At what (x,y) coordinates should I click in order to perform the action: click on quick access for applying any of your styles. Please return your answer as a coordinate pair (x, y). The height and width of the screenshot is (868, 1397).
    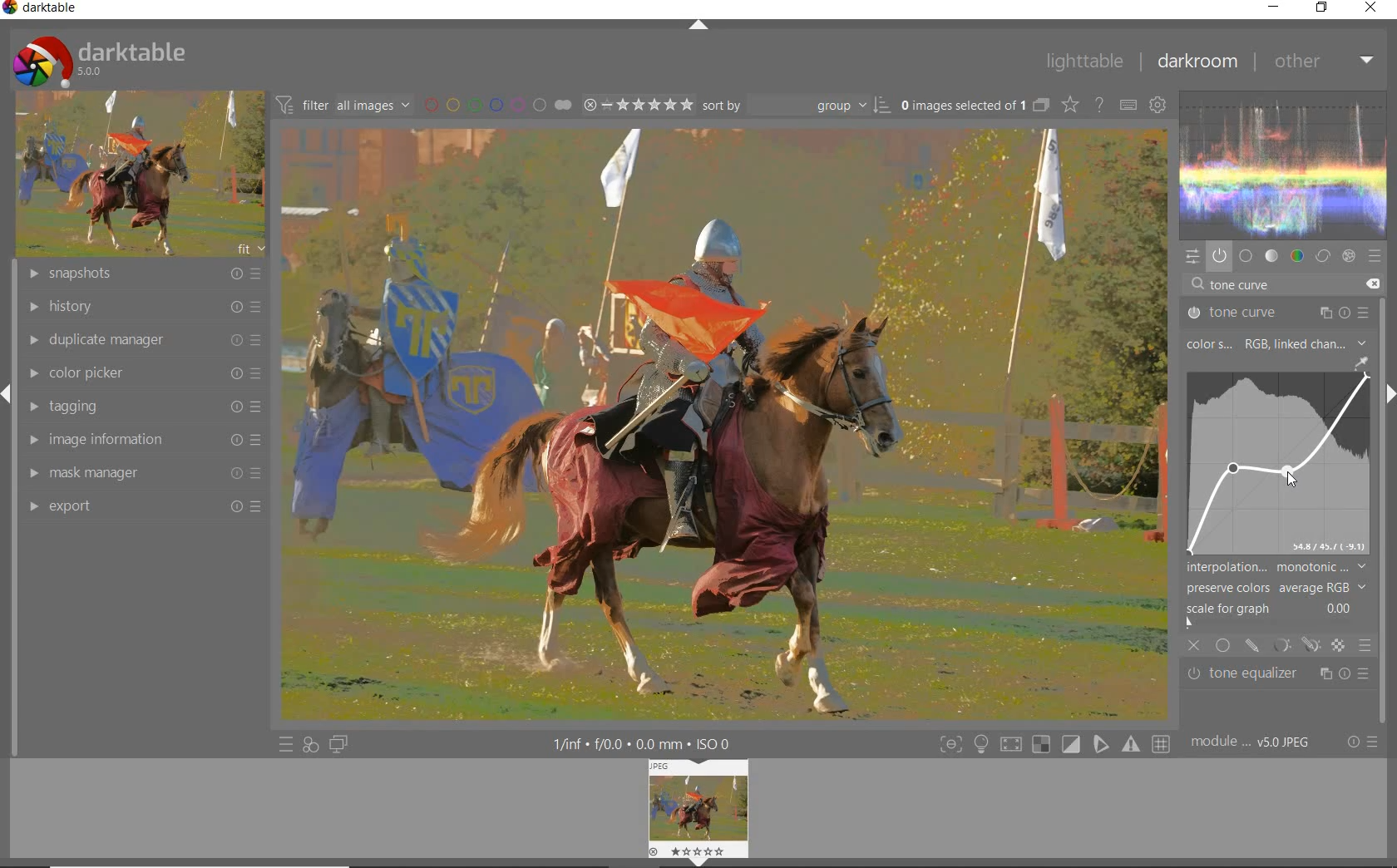
    Looking at the image, I should click on (309, 745).